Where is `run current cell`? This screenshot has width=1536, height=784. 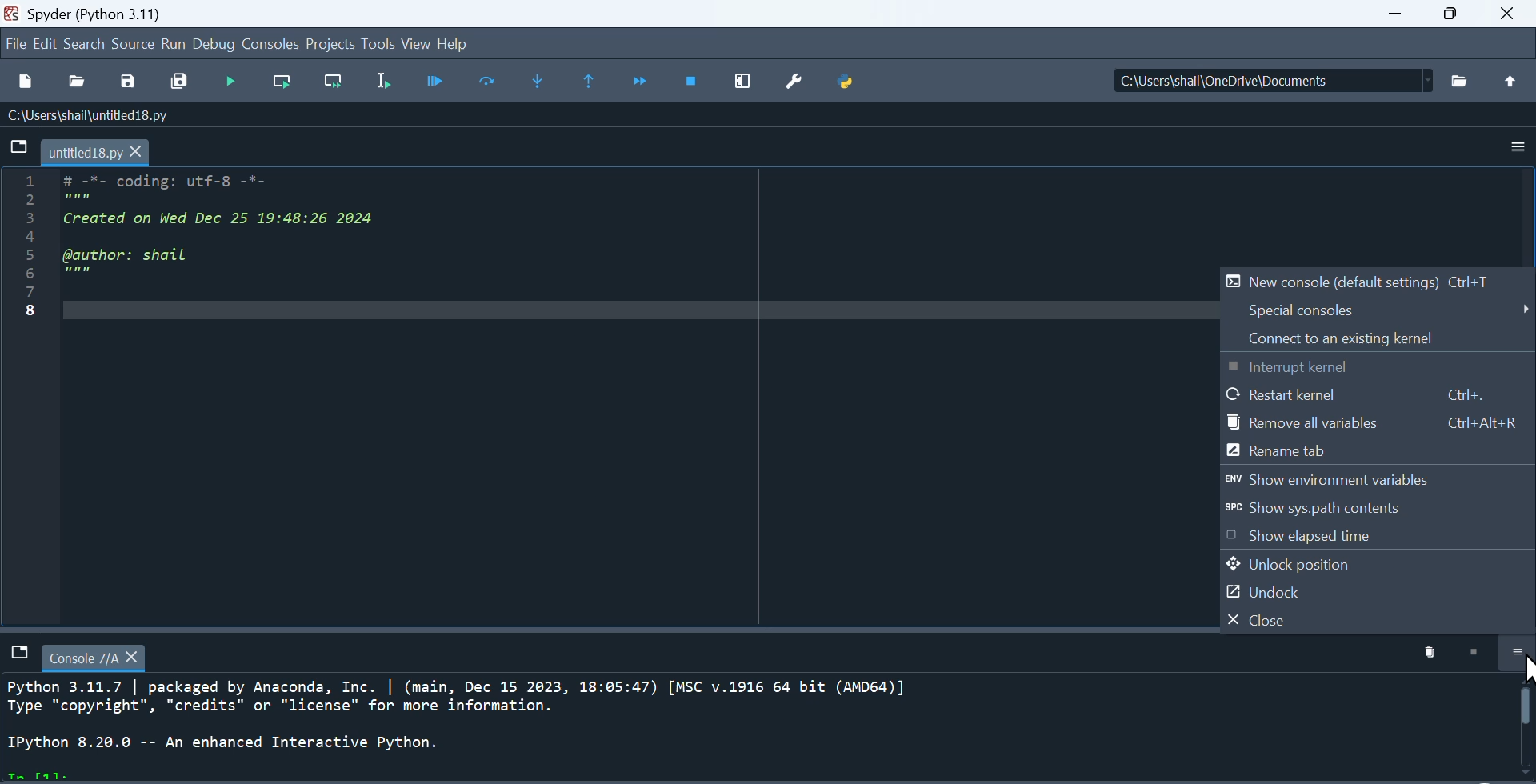
run current cell is located at coordinates (278, 82).